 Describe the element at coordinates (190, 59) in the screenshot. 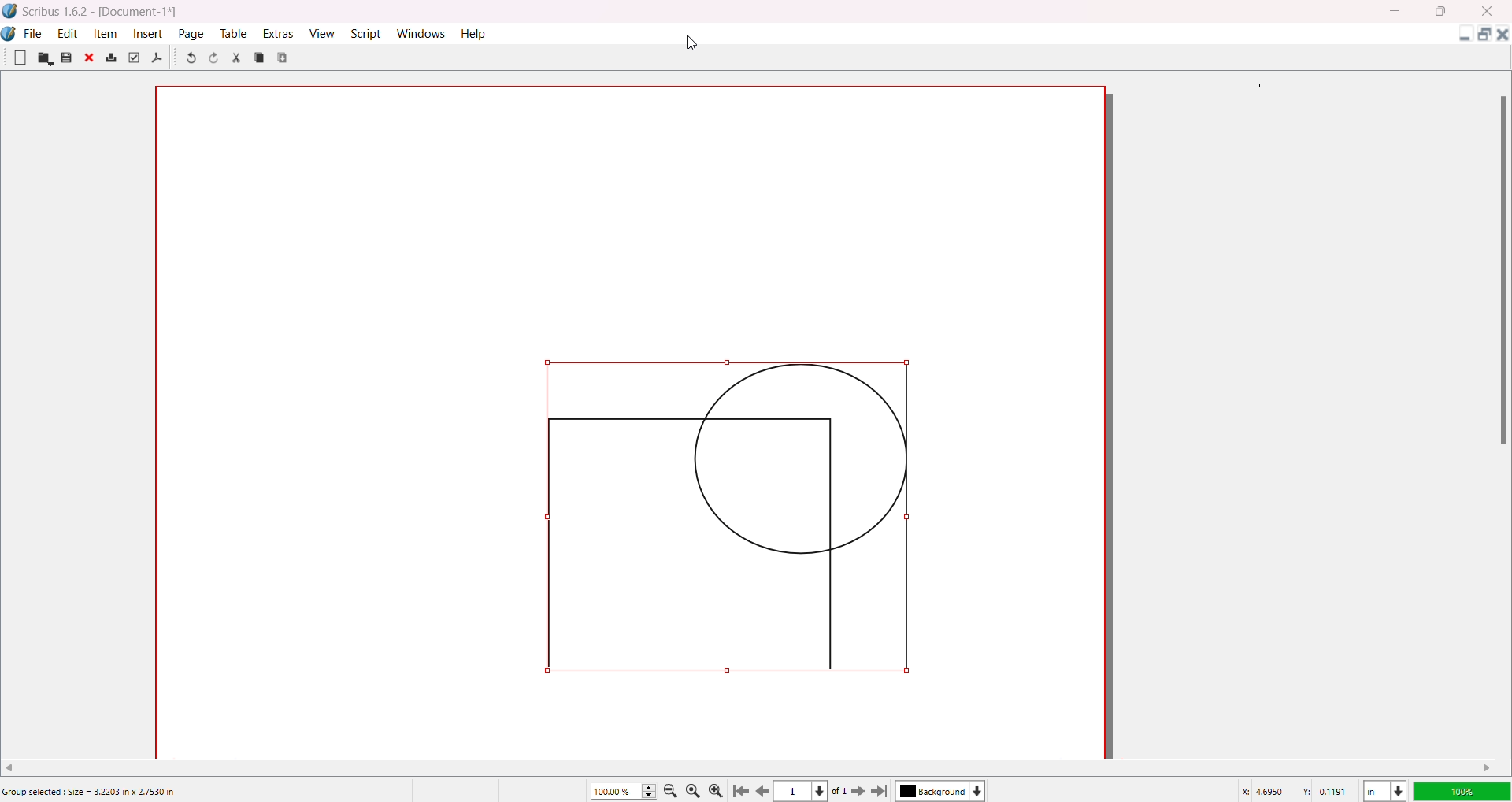

I see `Undo` at that location.